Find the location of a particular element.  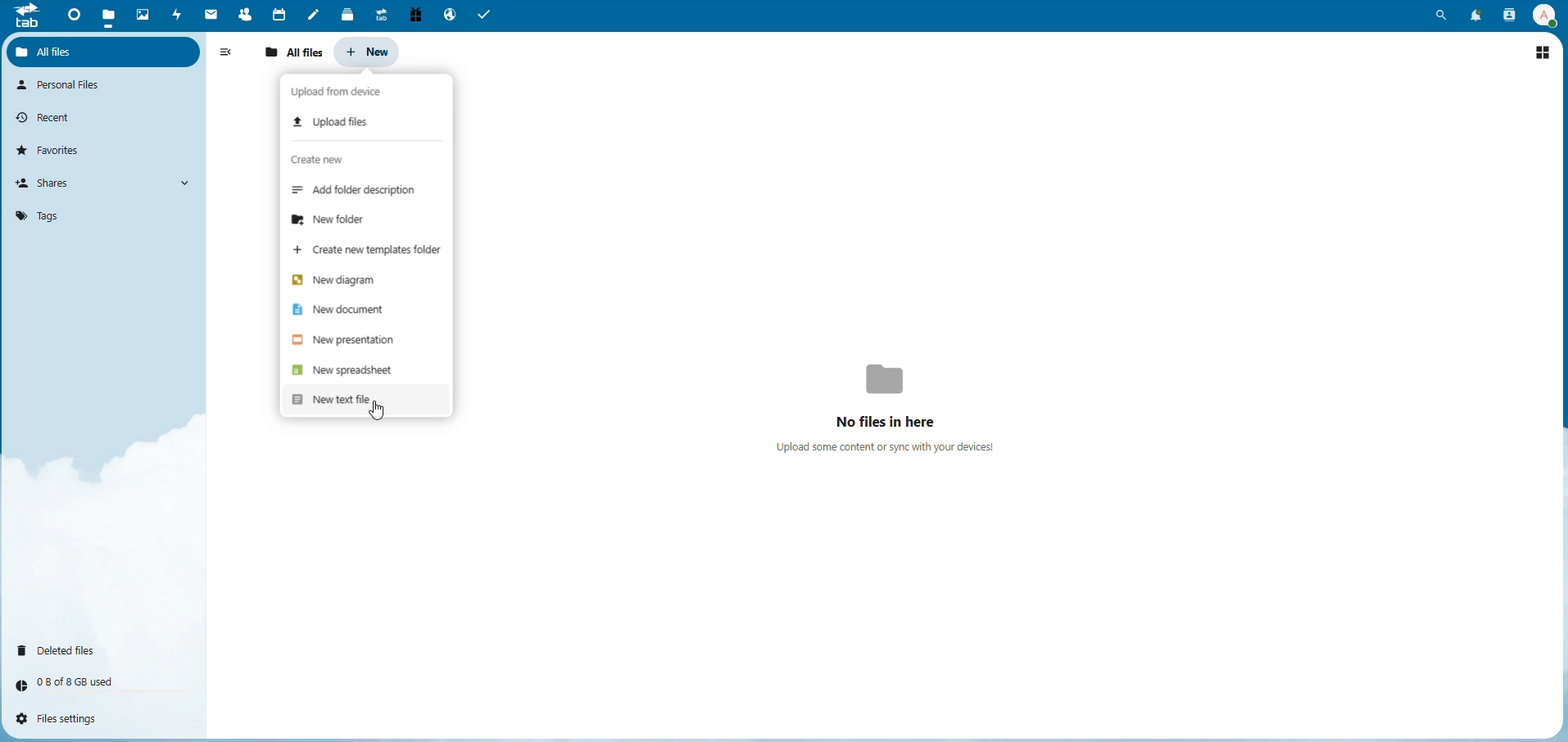

opdate is located at coordinates (336, 119).